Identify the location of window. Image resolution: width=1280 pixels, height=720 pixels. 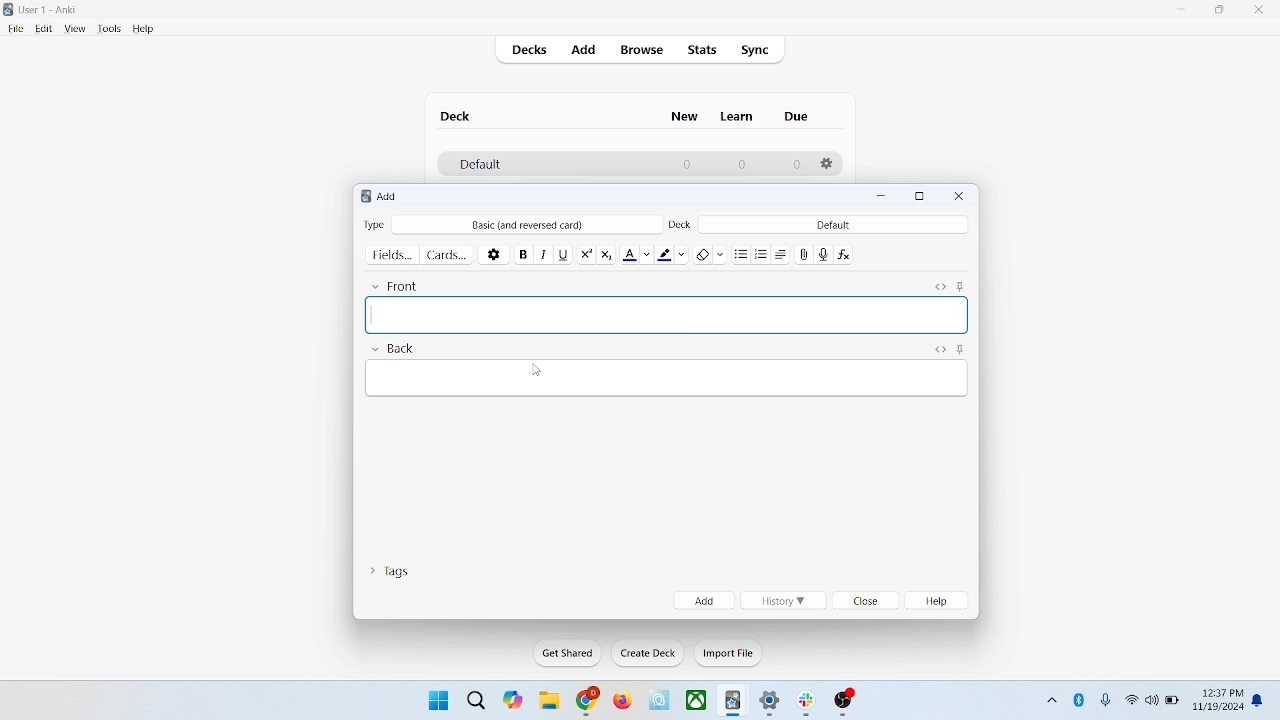
(436, 699).